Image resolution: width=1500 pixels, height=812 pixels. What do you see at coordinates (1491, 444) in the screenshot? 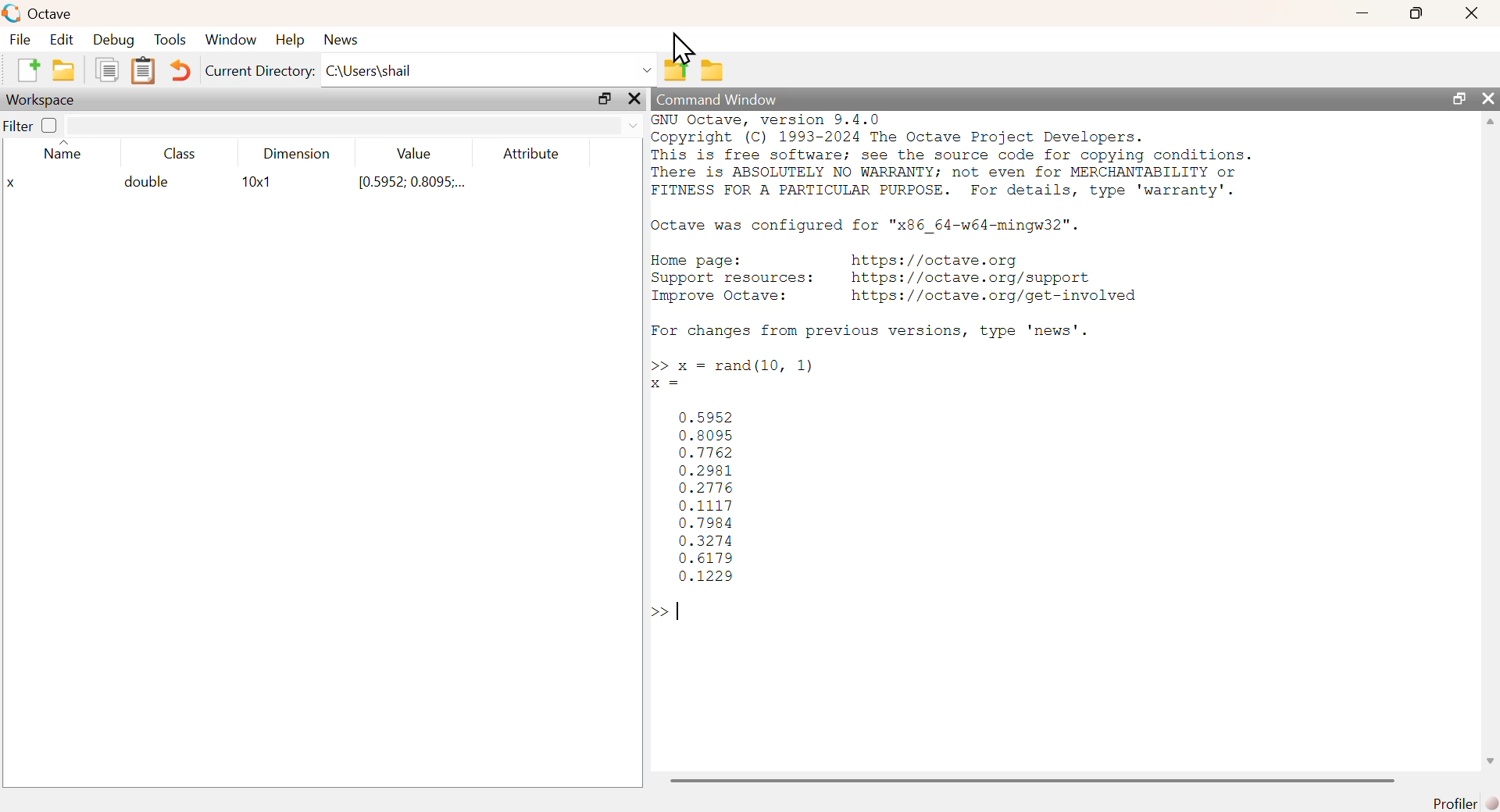
I see `scrollbar` at bounding box center [1491, 444].